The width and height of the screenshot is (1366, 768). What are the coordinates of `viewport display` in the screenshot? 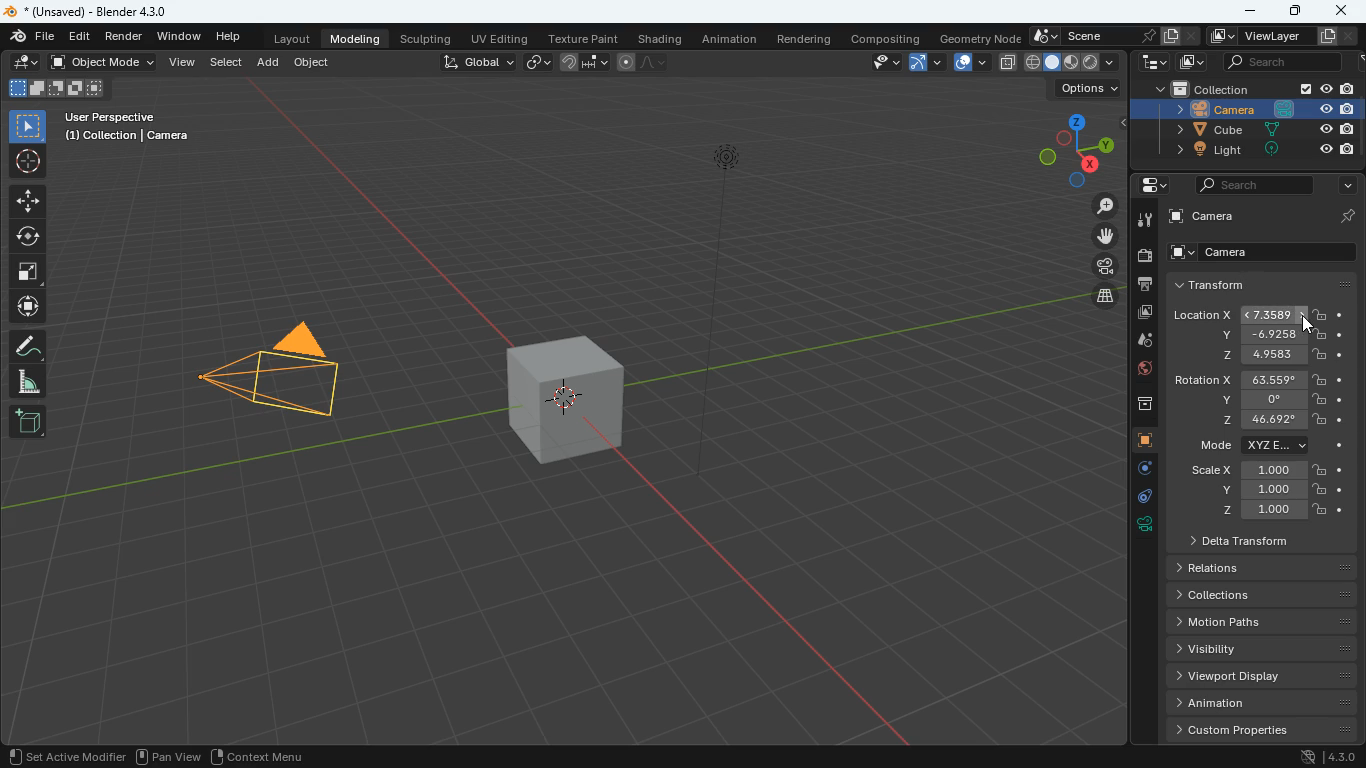 It's located at (1257, 675).